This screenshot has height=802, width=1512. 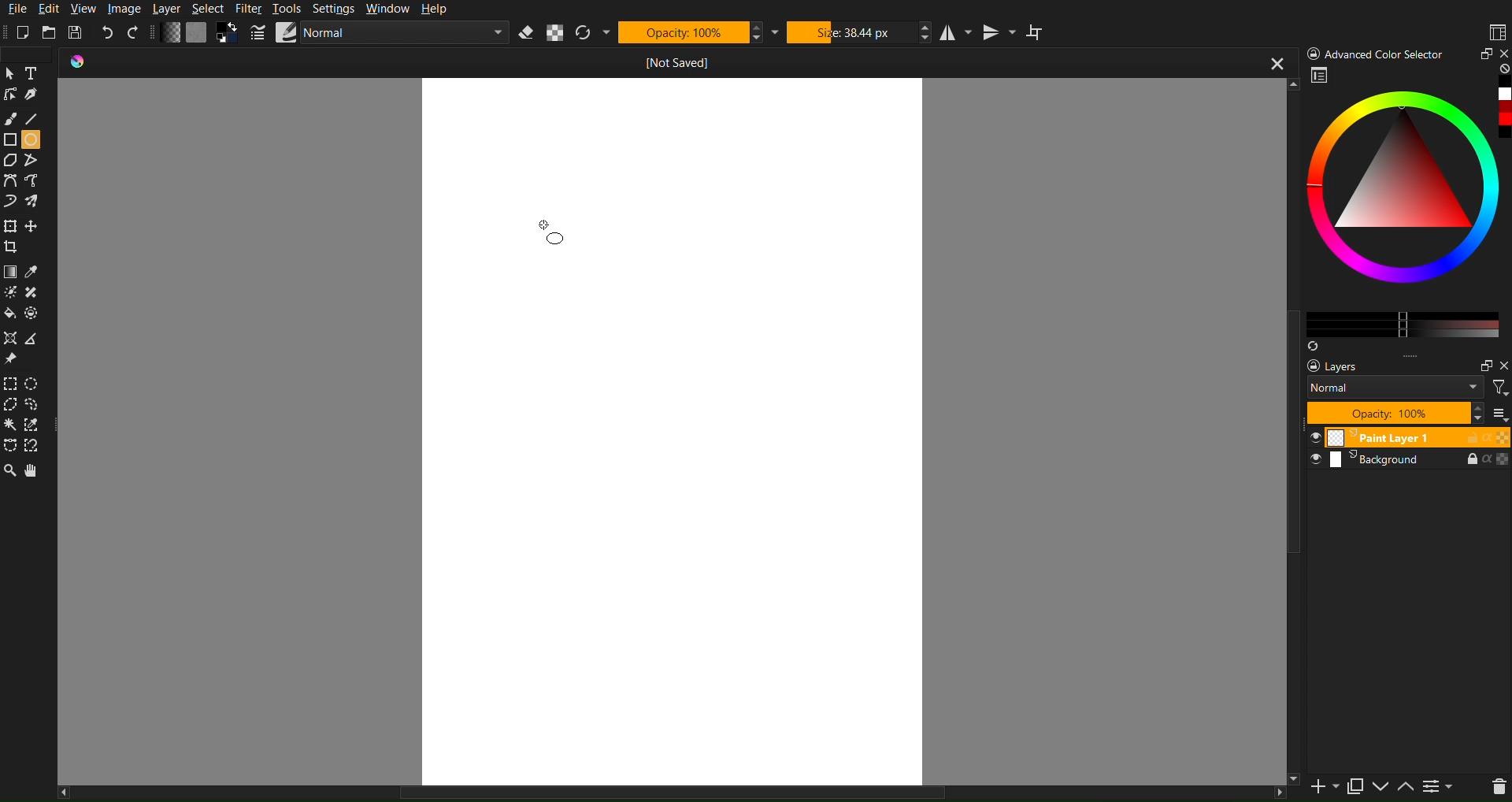 What do you see at coordinates (13, 358) in the screenshot?
I see `Pin` at bounding box center [13, 358].